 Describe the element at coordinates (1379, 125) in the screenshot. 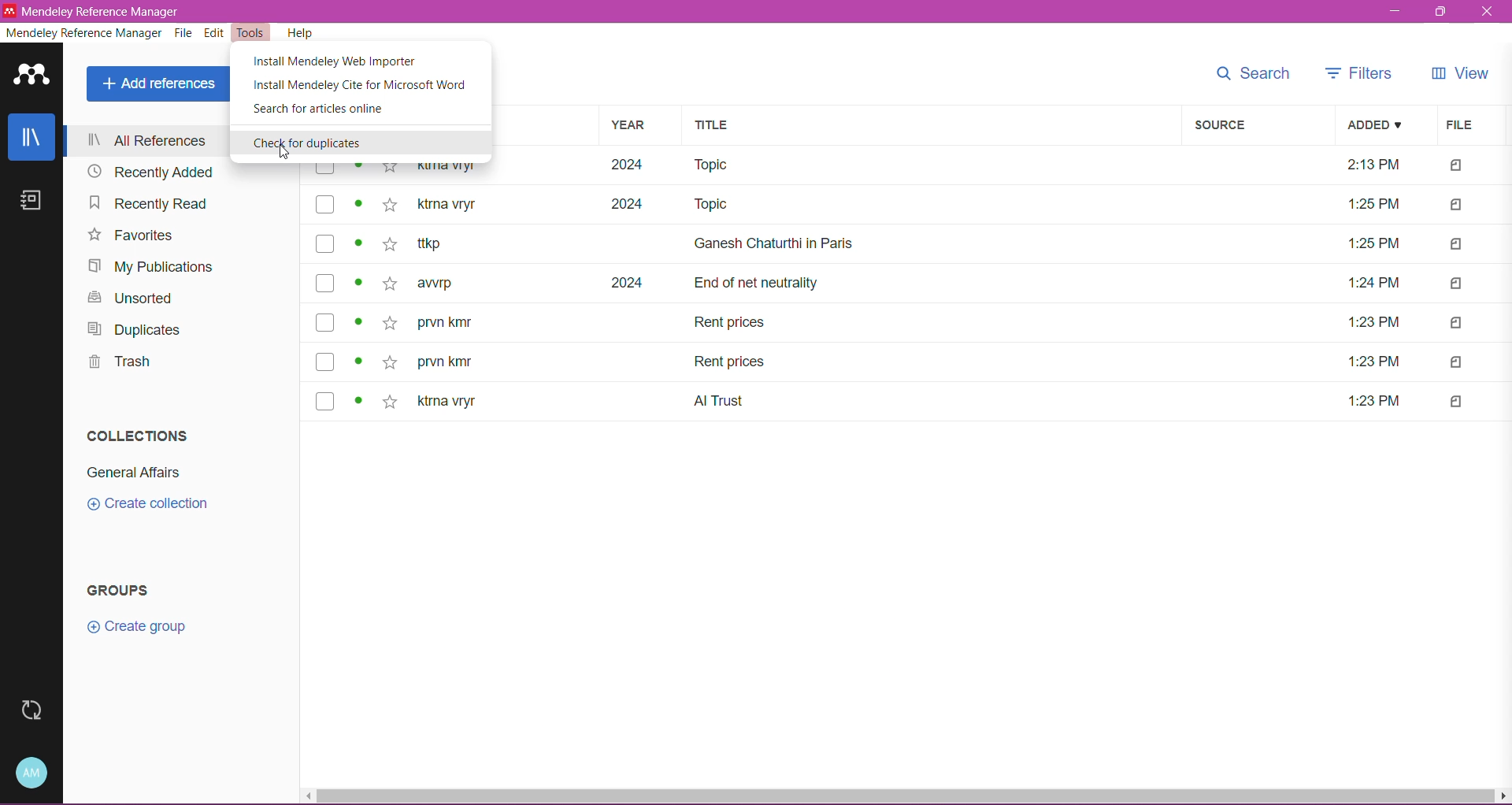

I see `Added` at that location.